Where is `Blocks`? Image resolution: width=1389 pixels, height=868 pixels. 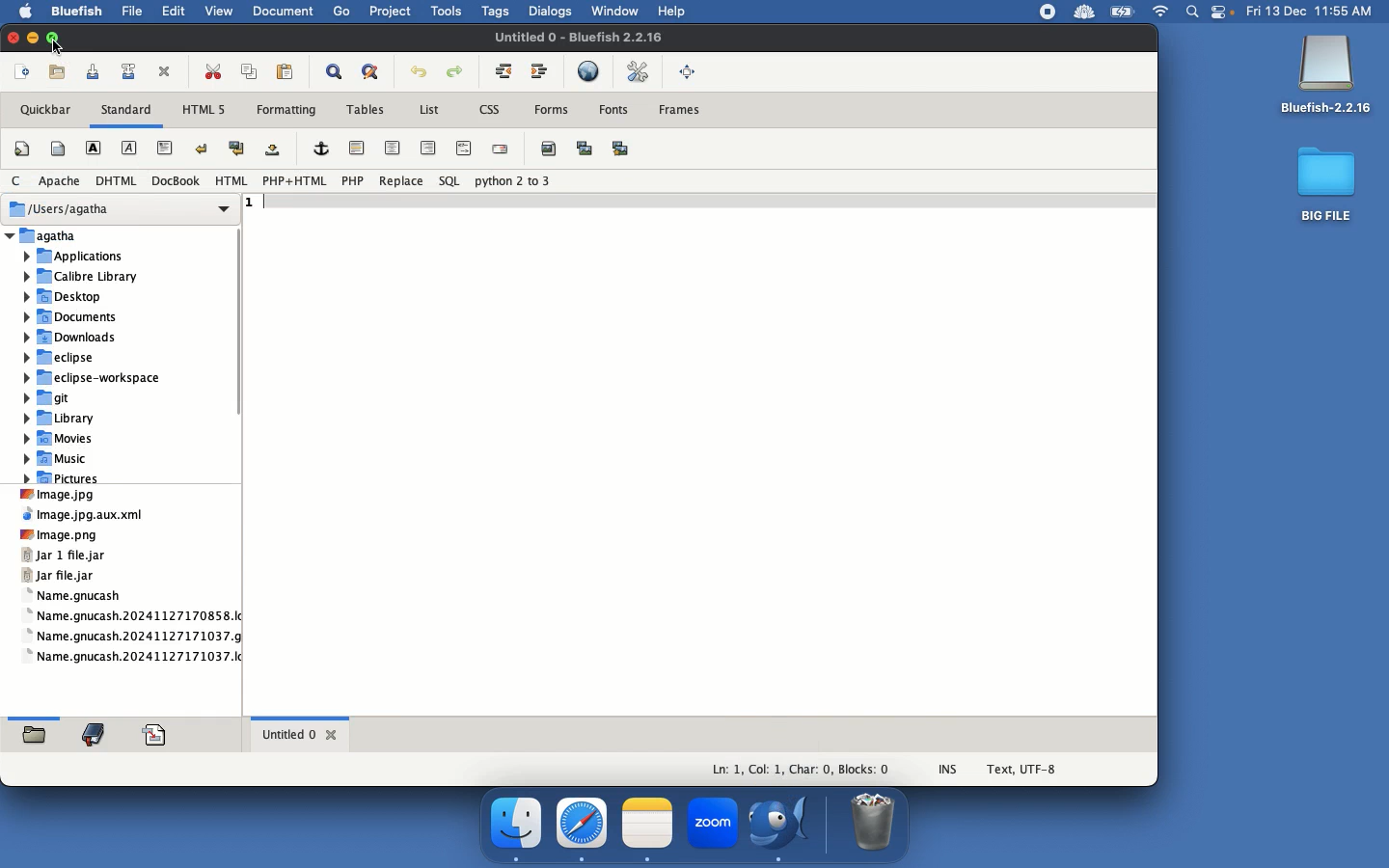
Blocks is located at coordinates (868, 769).